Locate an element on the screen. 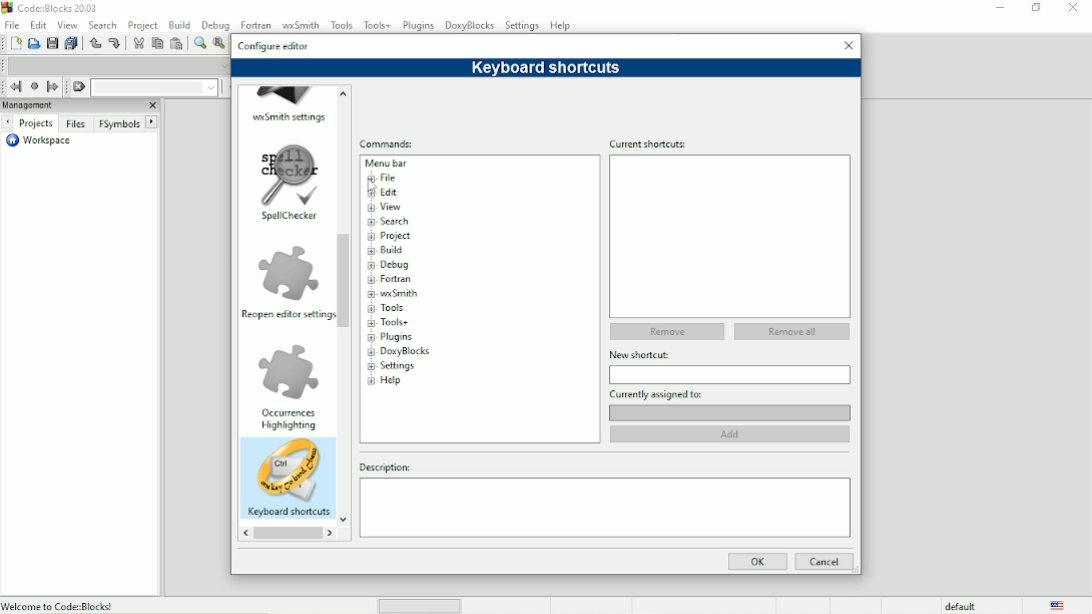 The width and height of the screenshot is (1092, 614). Debug is located at coordinates (396, 266).